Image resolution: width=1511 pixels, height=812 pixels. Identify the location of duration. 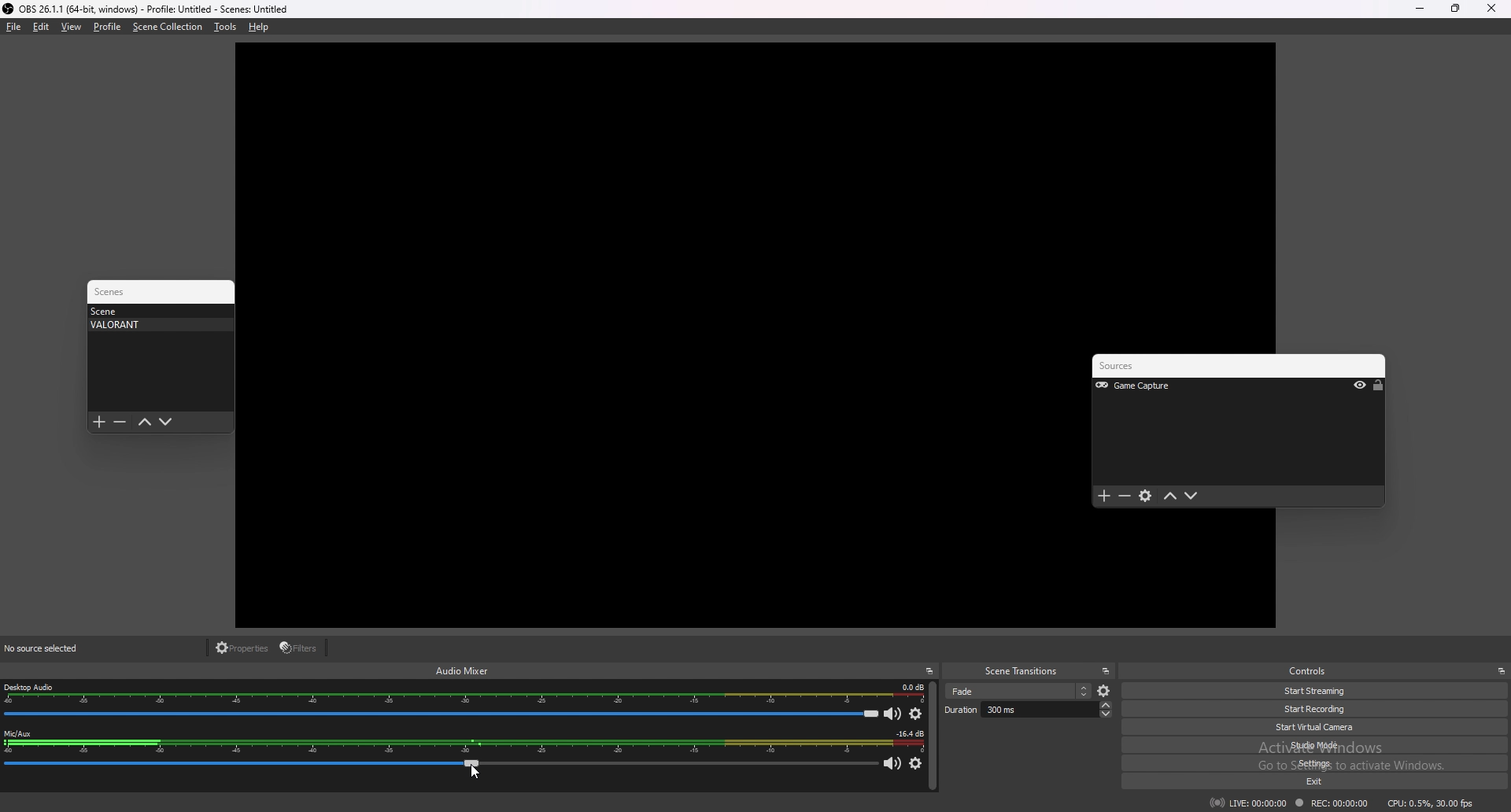
(1028, 709).